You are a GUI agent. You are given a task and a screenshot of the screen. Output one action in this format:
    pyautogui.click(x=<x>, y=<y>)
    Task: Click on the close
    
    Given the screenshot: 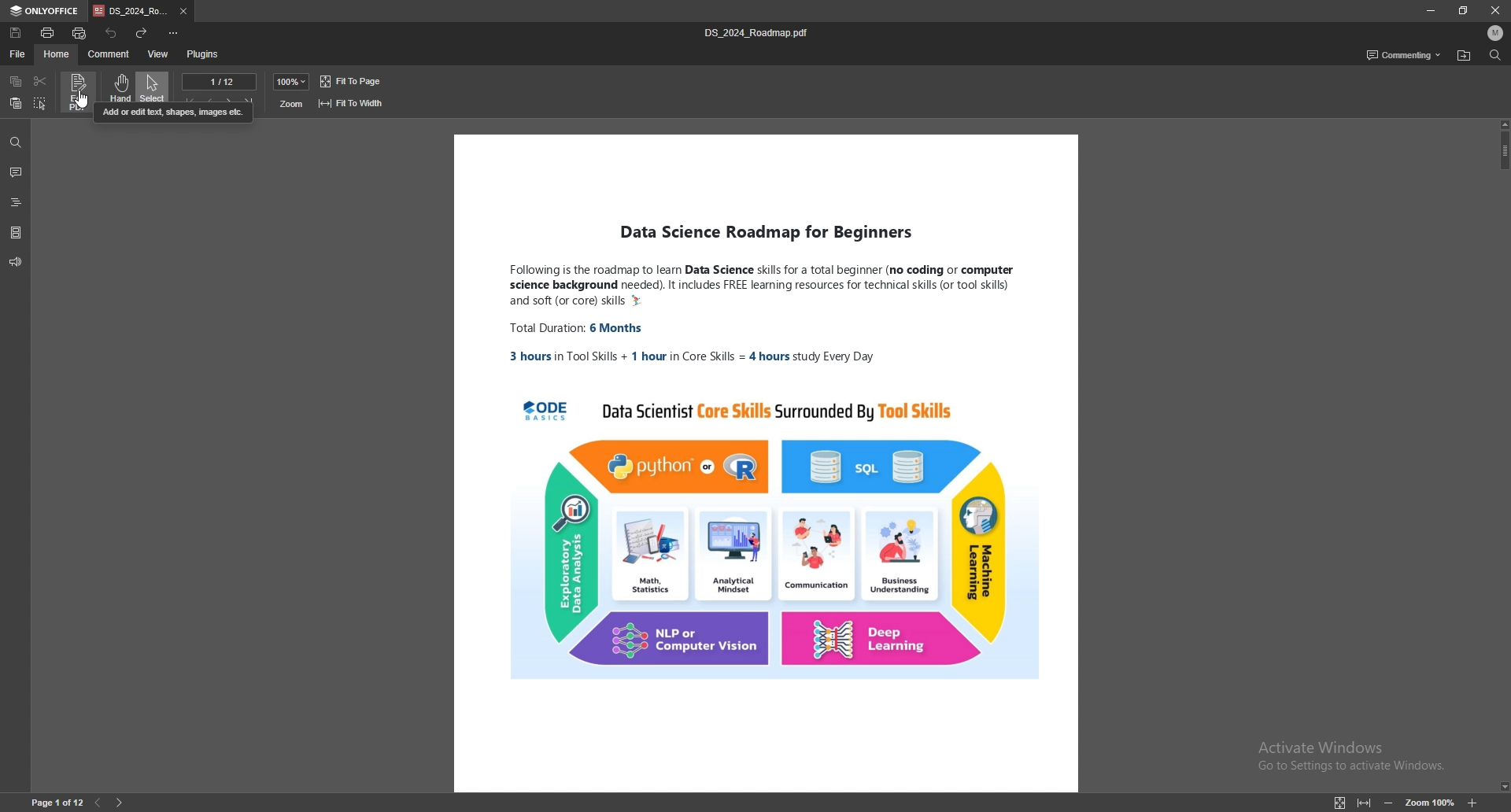 What is the action you would take?
    pyautogui.click(x=1495, y=9)
    